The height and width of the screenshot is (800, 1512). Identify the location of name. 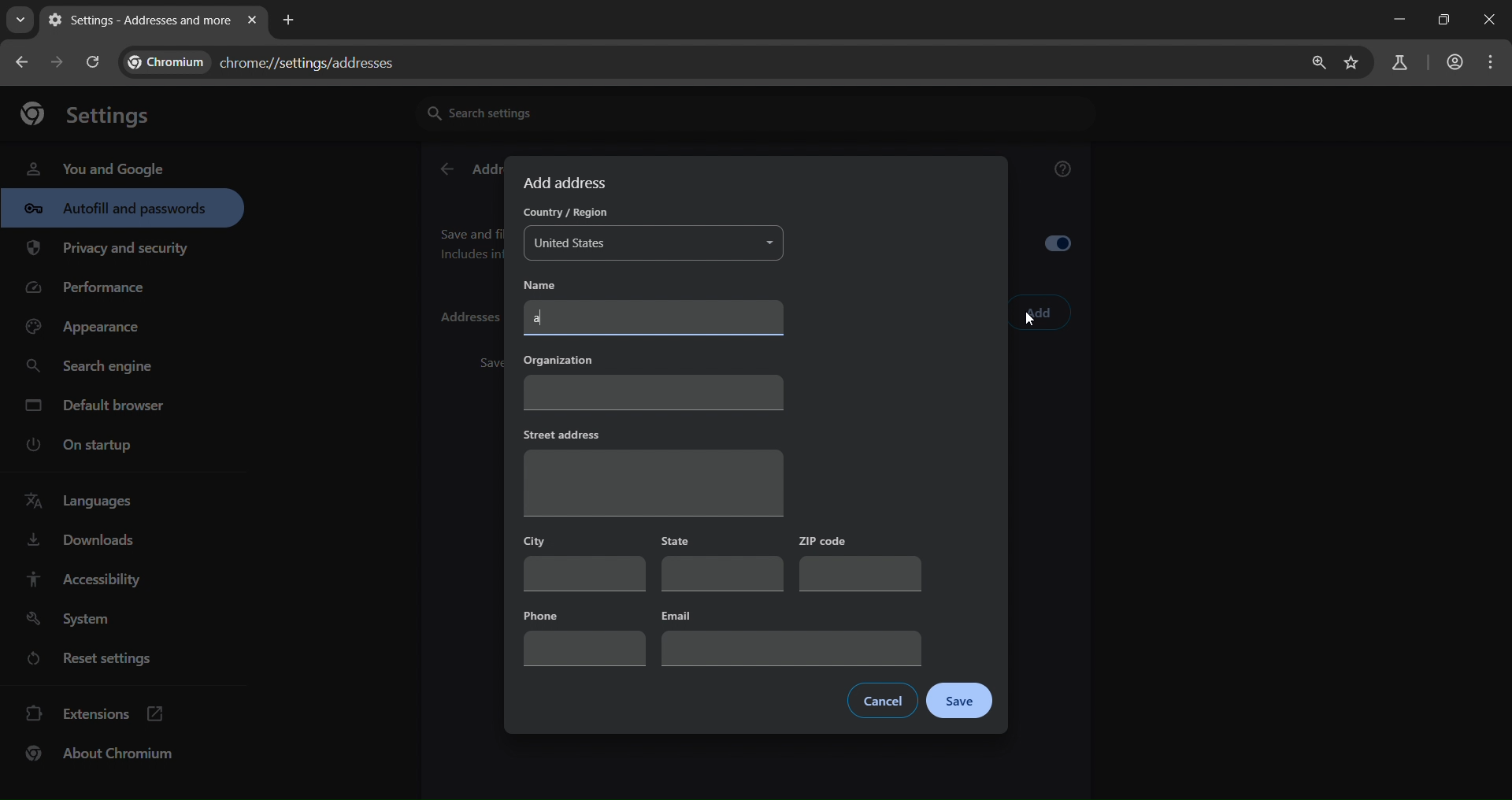
(552, 284).